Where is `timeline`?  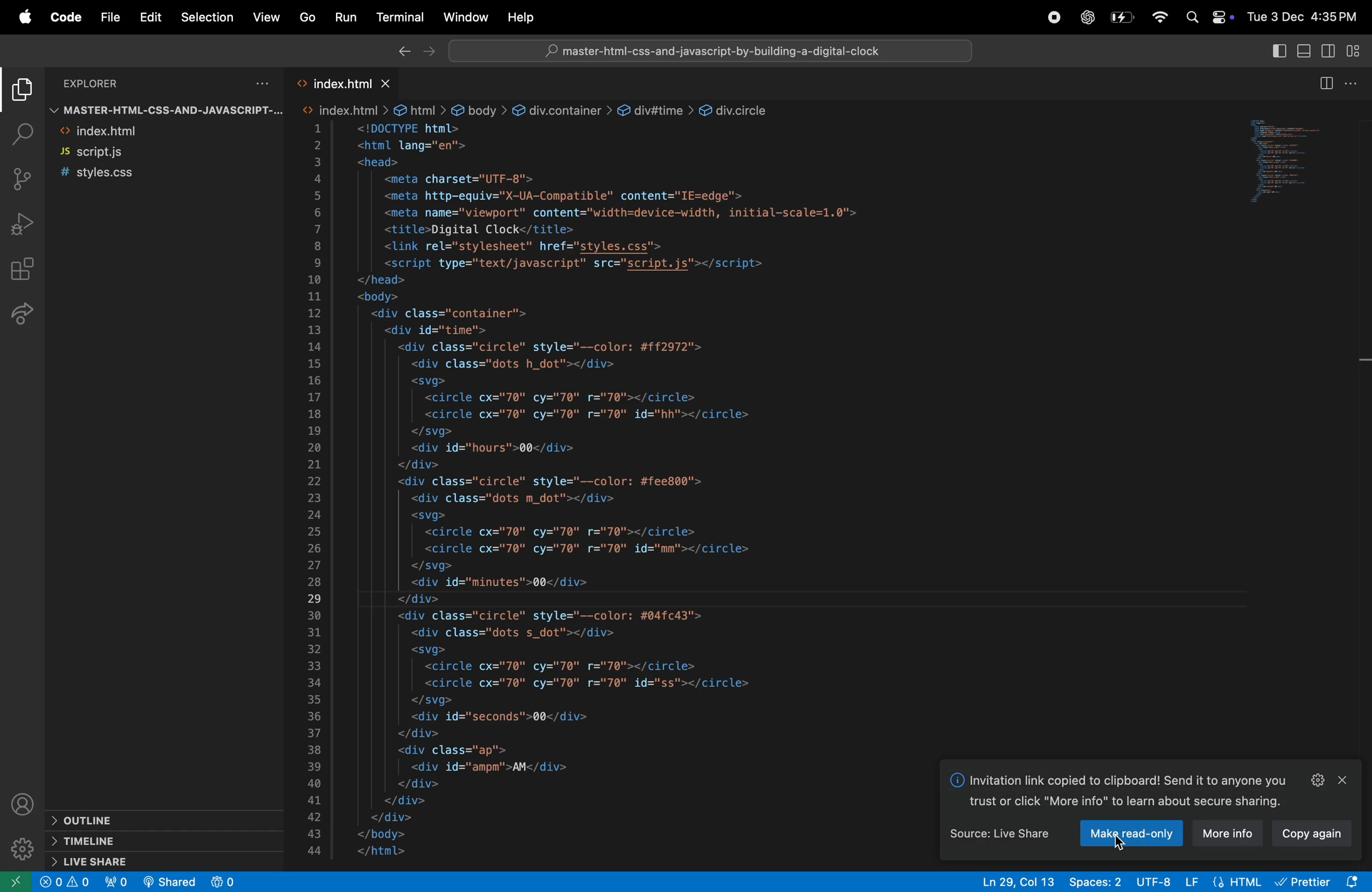 timeline is located at coordinates (156, 840).